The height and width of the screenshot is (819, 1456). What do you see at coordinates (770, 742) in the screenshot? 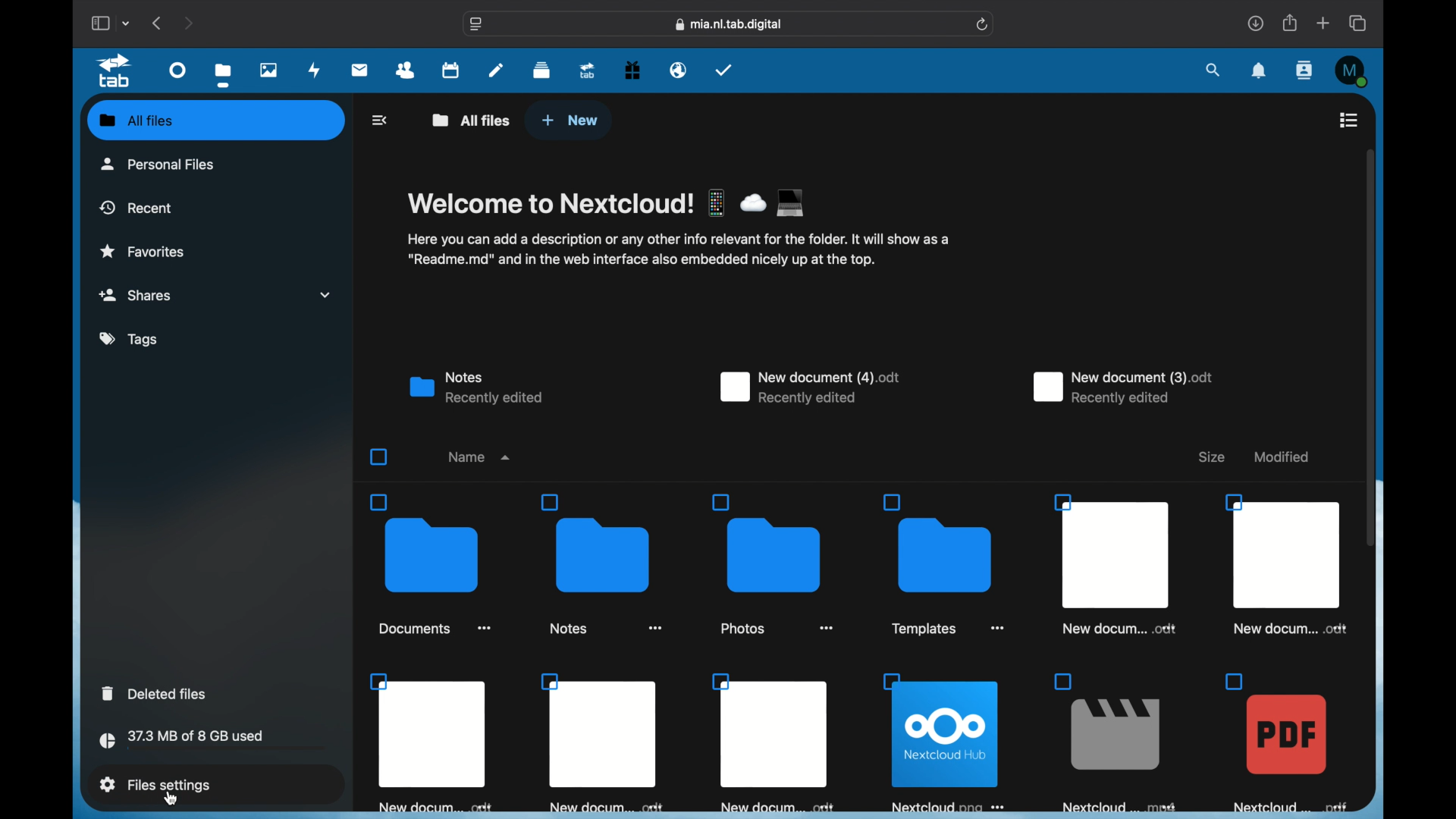
I see `file` at bounding box center [770, 742].